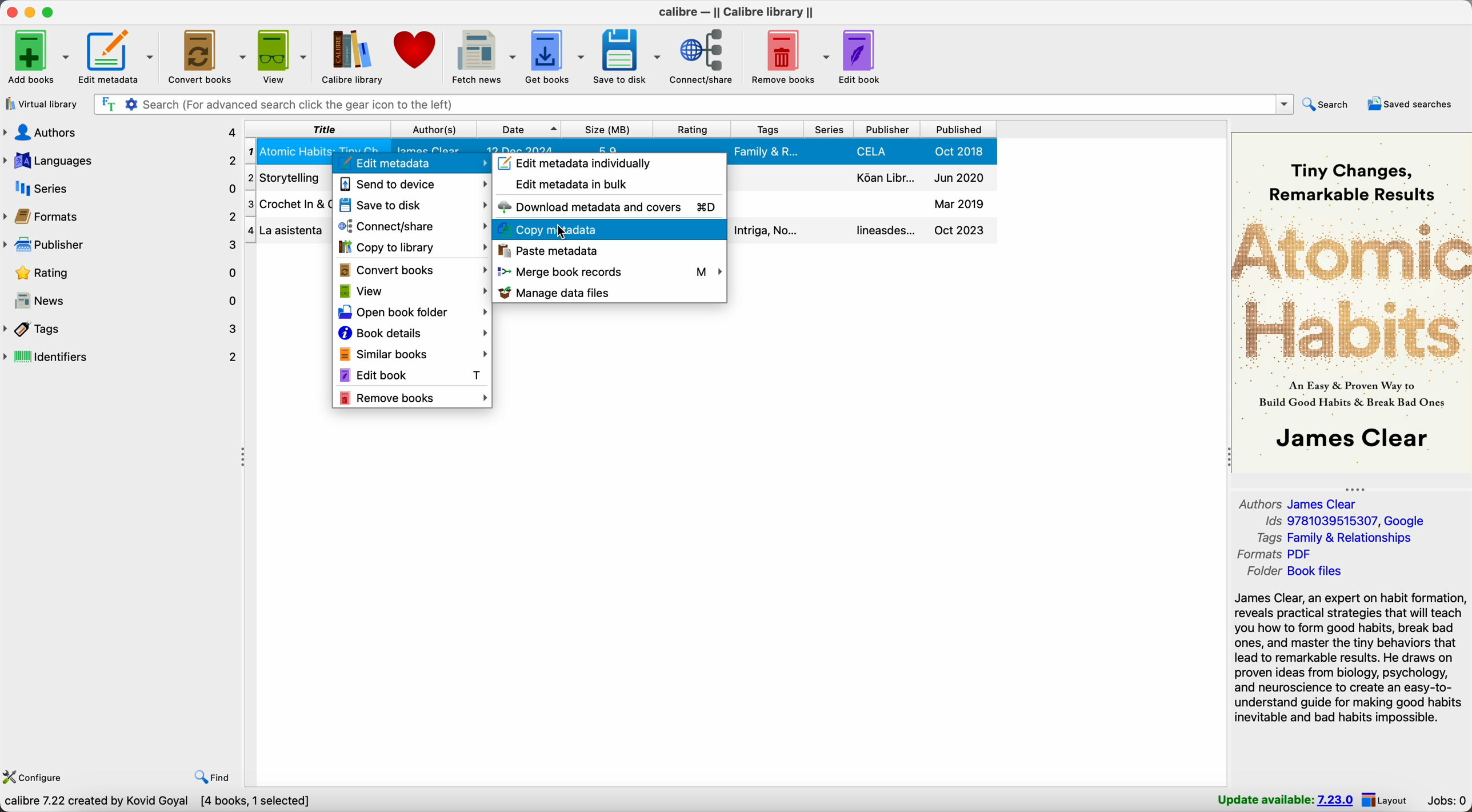 The image size is (1472, 812). I want to click on merge book records, so click(609, 270).